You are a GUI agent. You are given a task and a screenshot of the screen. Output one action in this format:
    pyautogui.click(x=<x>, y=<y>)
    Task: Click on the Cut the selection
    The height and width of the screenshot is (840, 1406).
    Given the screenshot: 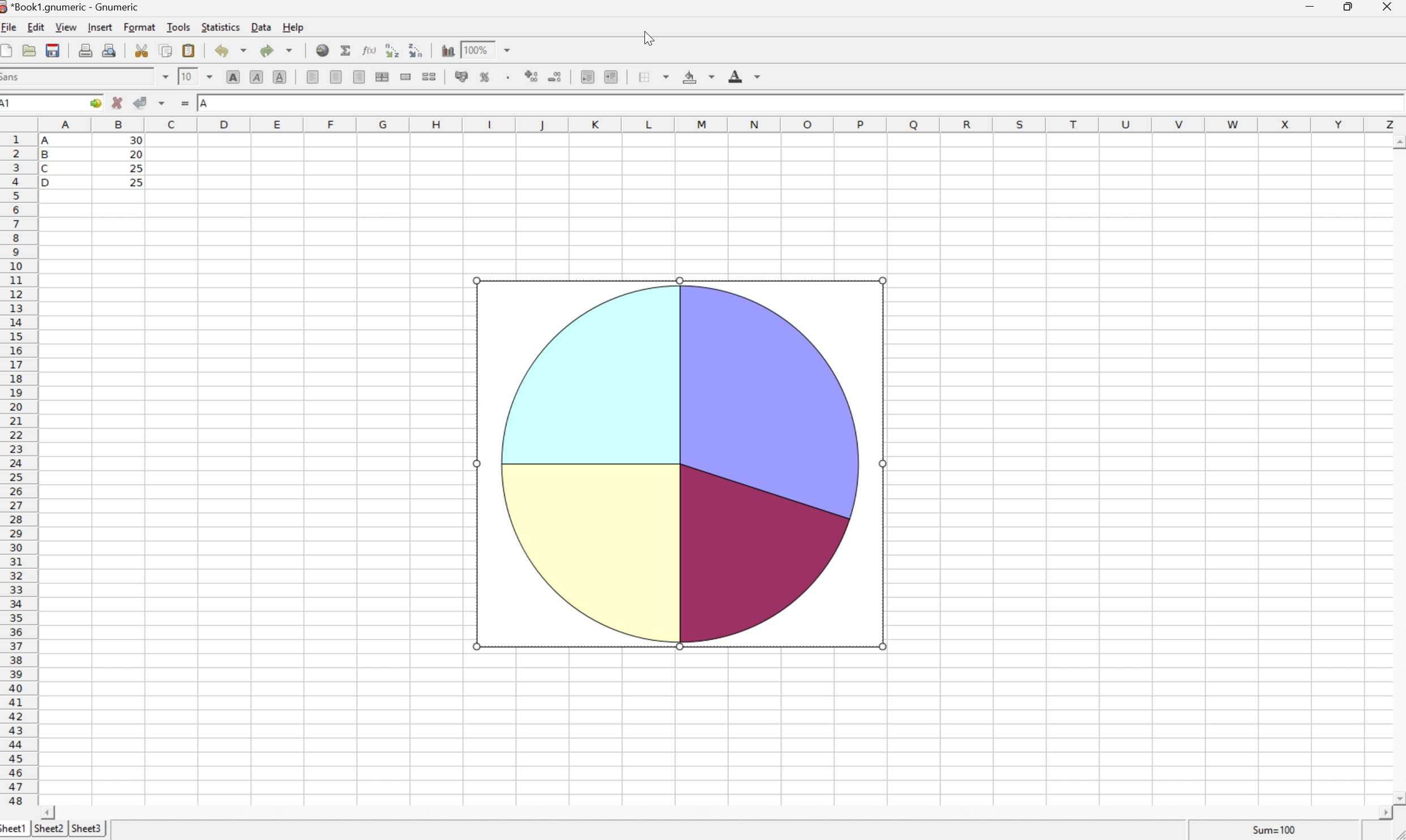 What is the action you would take?
    pyautogui.click(x=144, y=50)
    